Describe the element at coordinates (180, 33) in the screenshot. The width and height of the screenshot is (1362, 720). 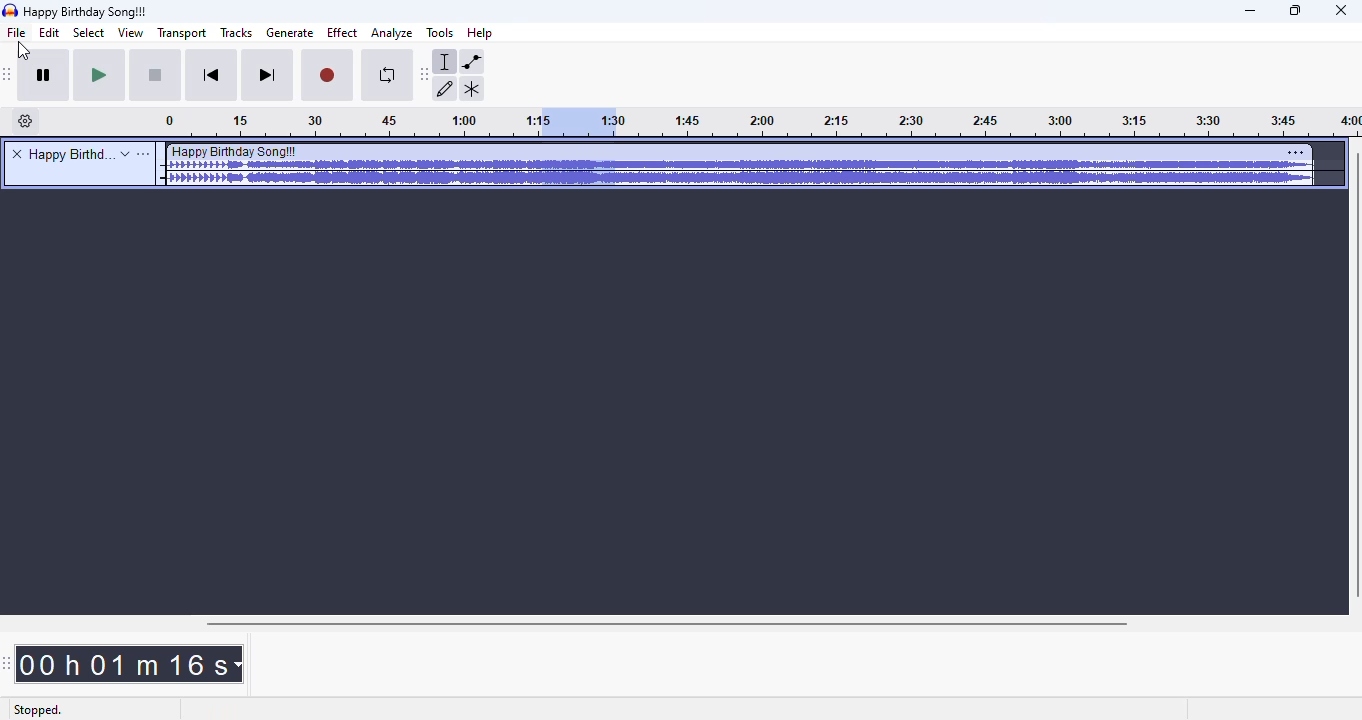
I see `transport` at that location.